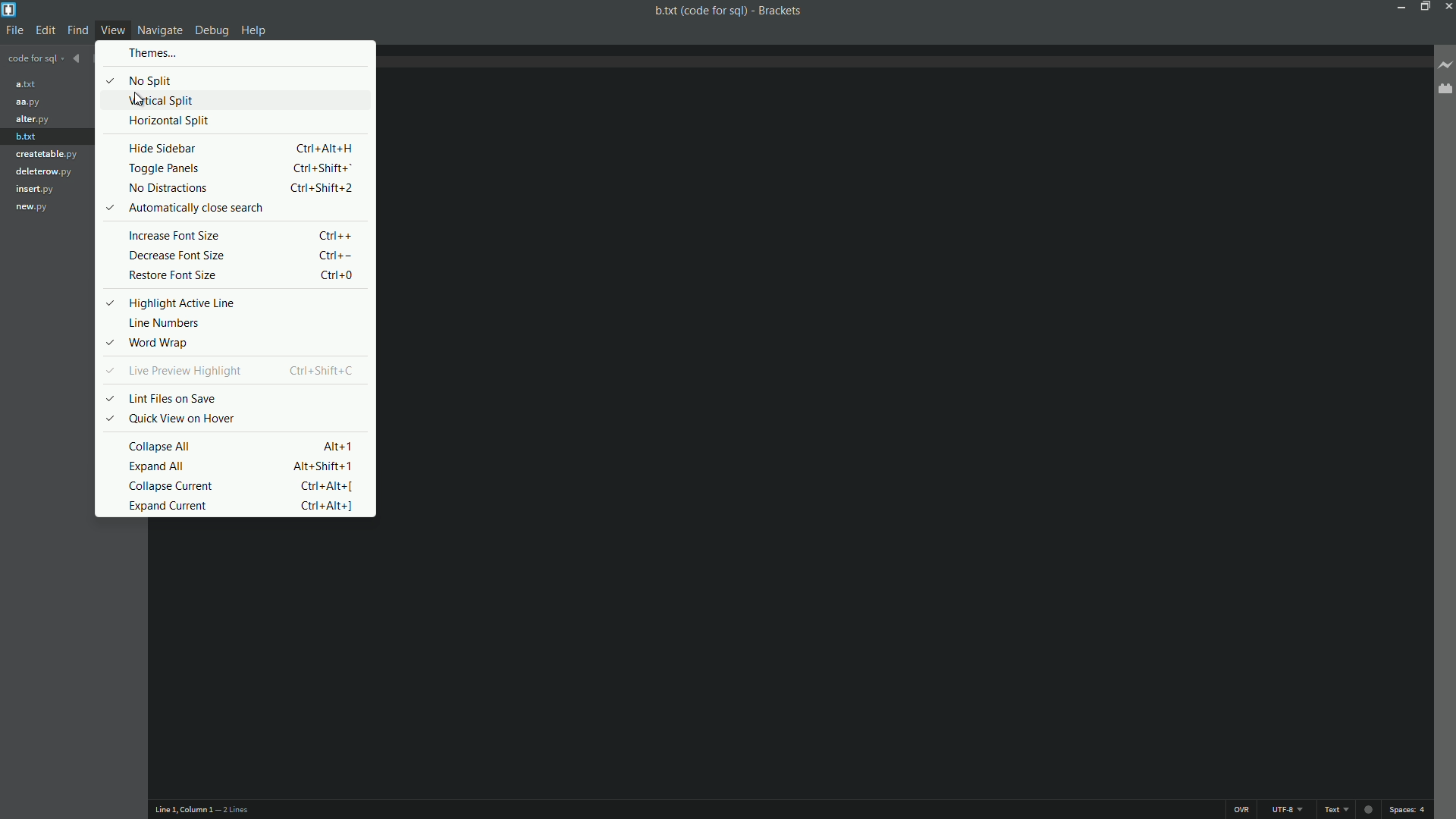  Describe the element at coordinates (245, 372) in the screenshot. I see `live preview highlight` at that location.